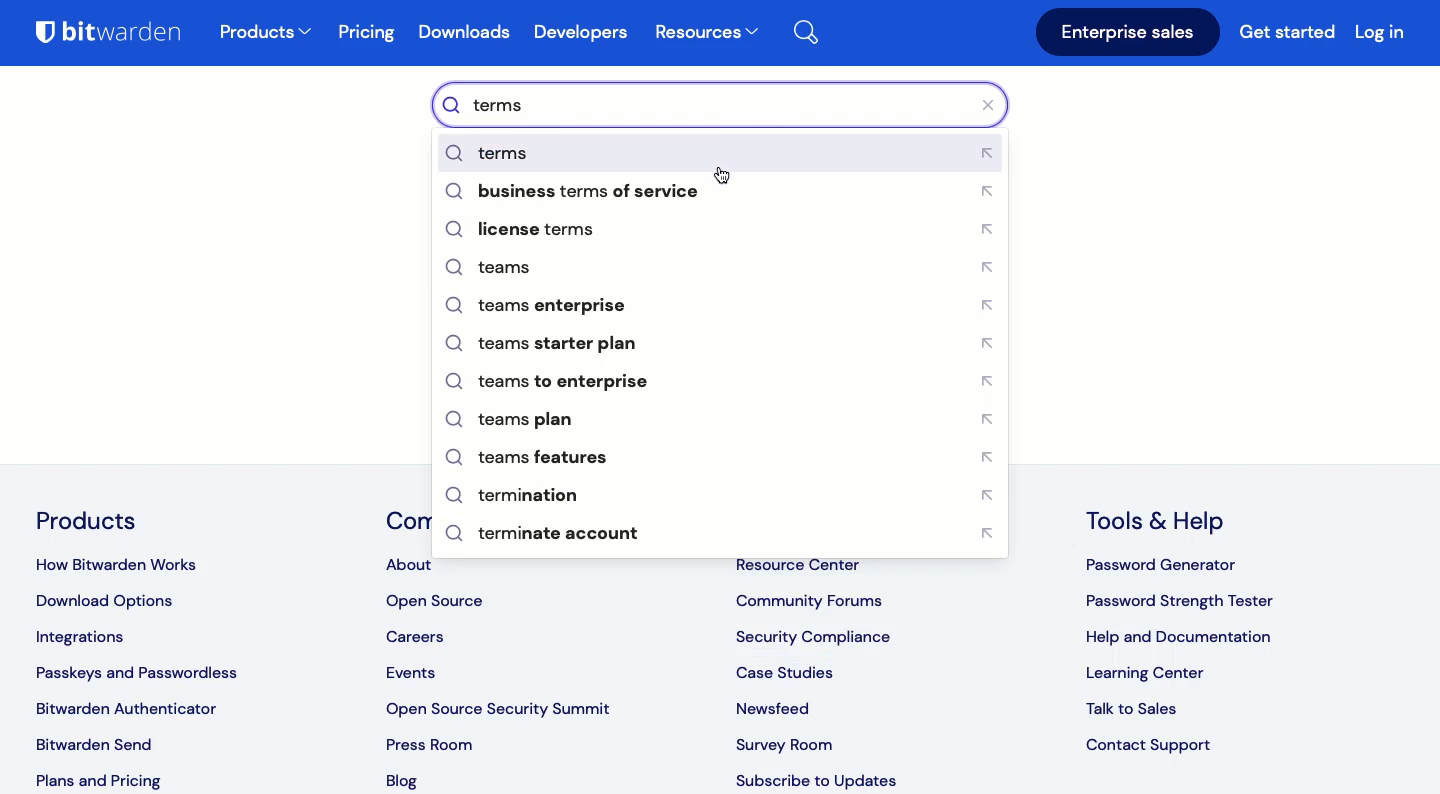  What do you see at coordinates (368, 33) in the screenshot?
I see `Pricing` at bounding box center [368, 33].